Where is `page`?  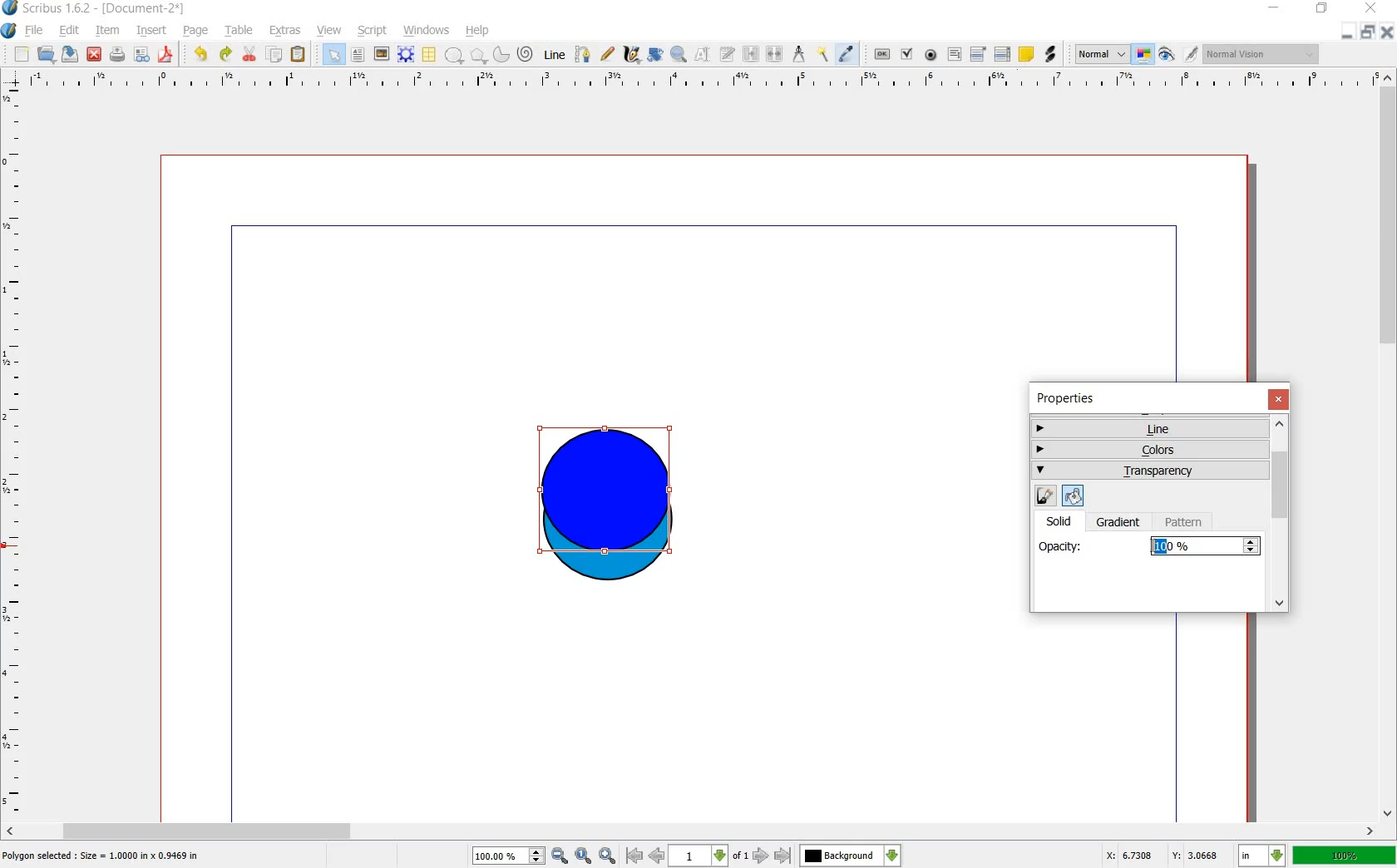
page is located at coordinates (198, 31).